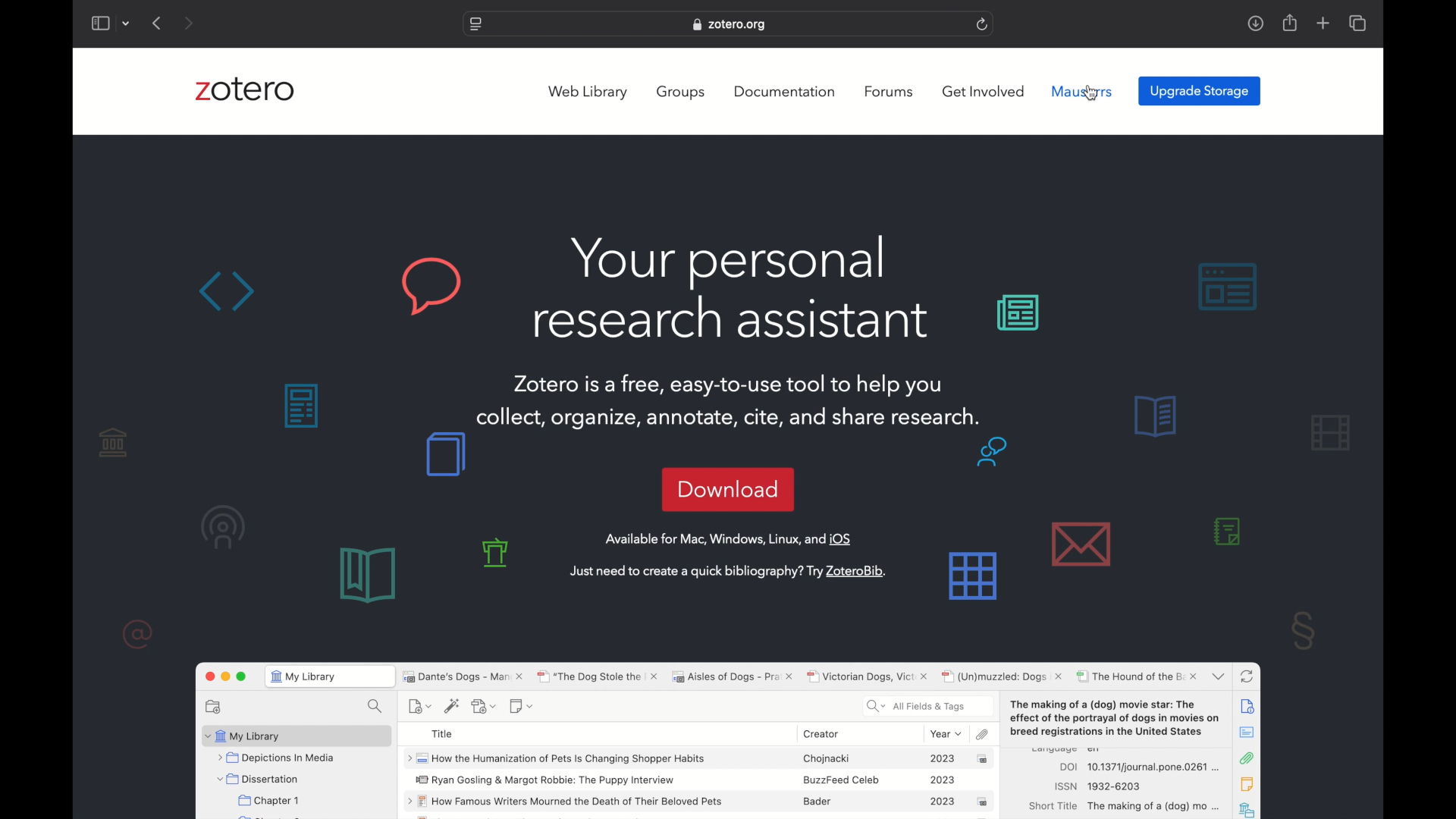  Describe the element at coordinates (730, 736) in the screenshot. I see `zotero software preview` at that location.